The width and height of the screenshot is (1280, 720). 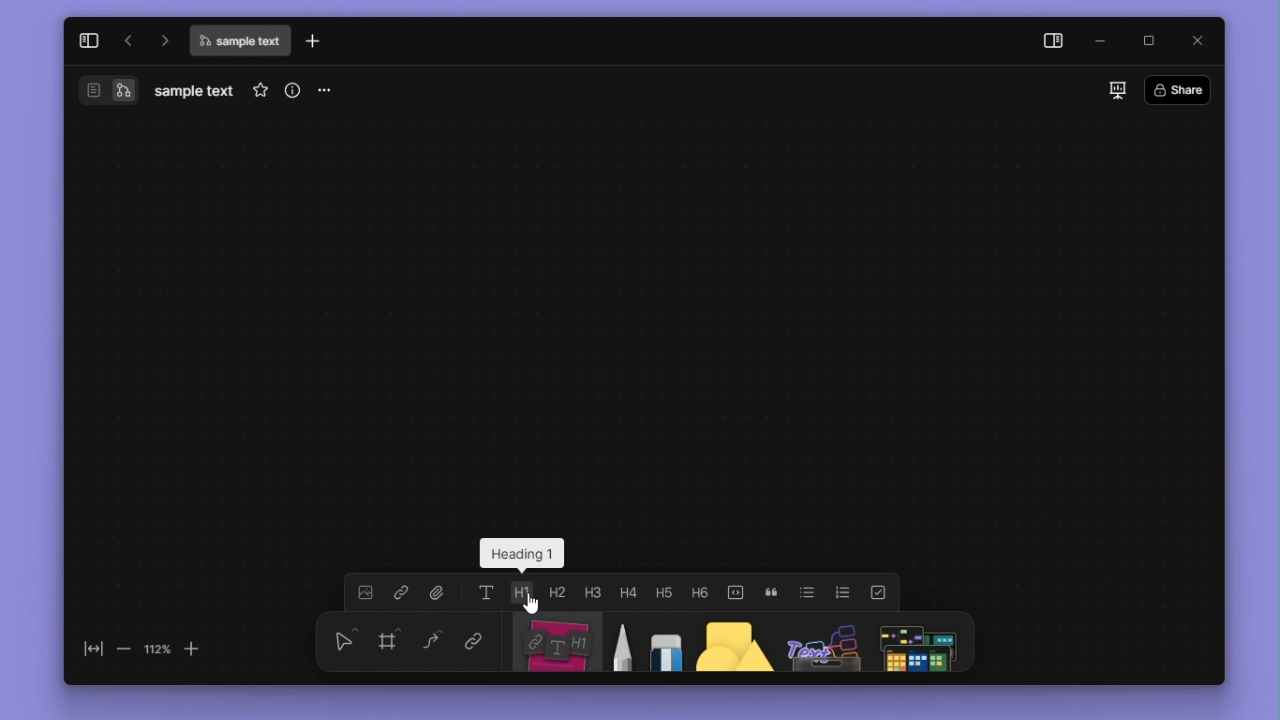 I want to click on to do list, so click(x=878, y=593).